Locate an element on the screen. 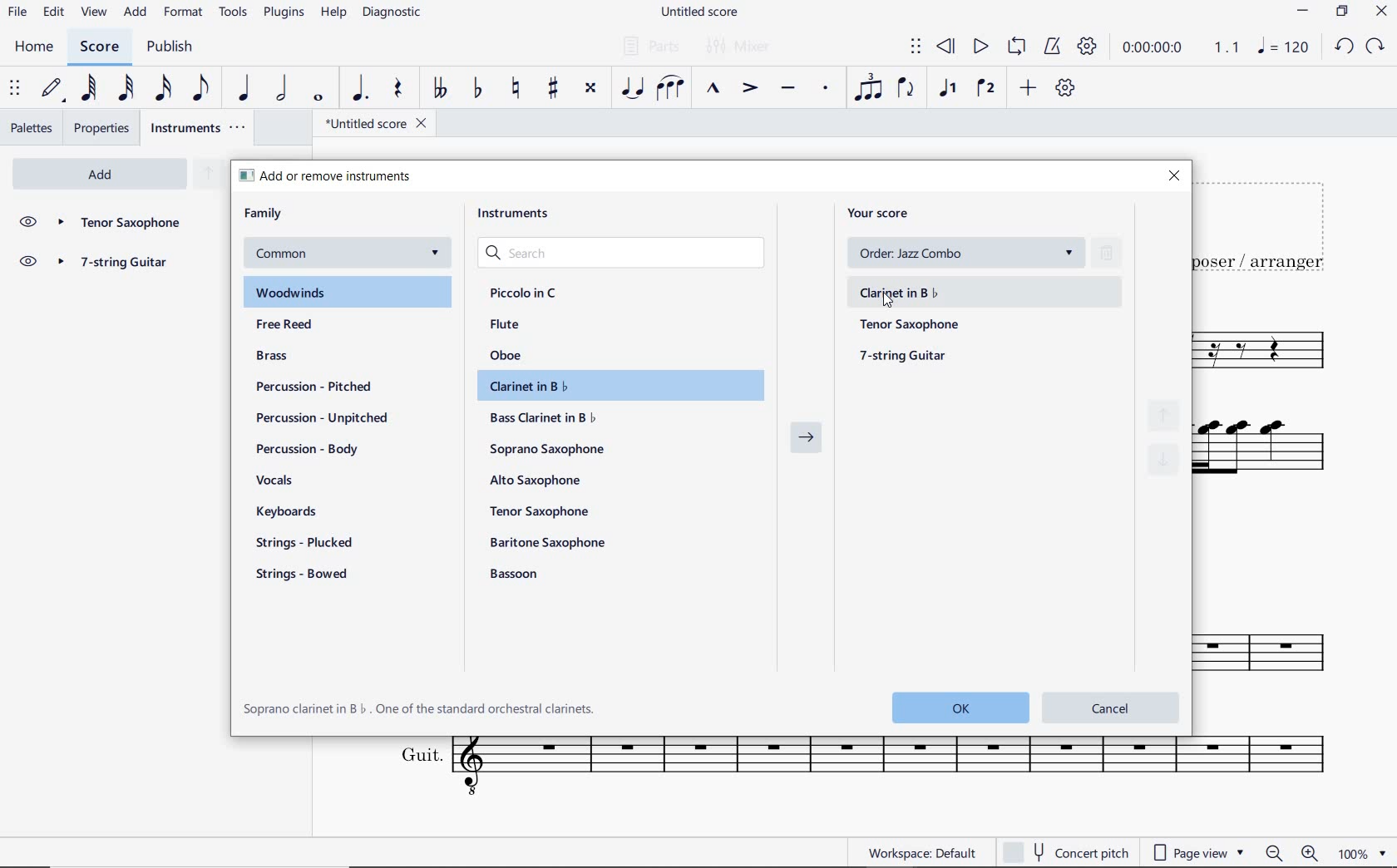  EIGHTH NOTE is located at coordinates (202, 86).